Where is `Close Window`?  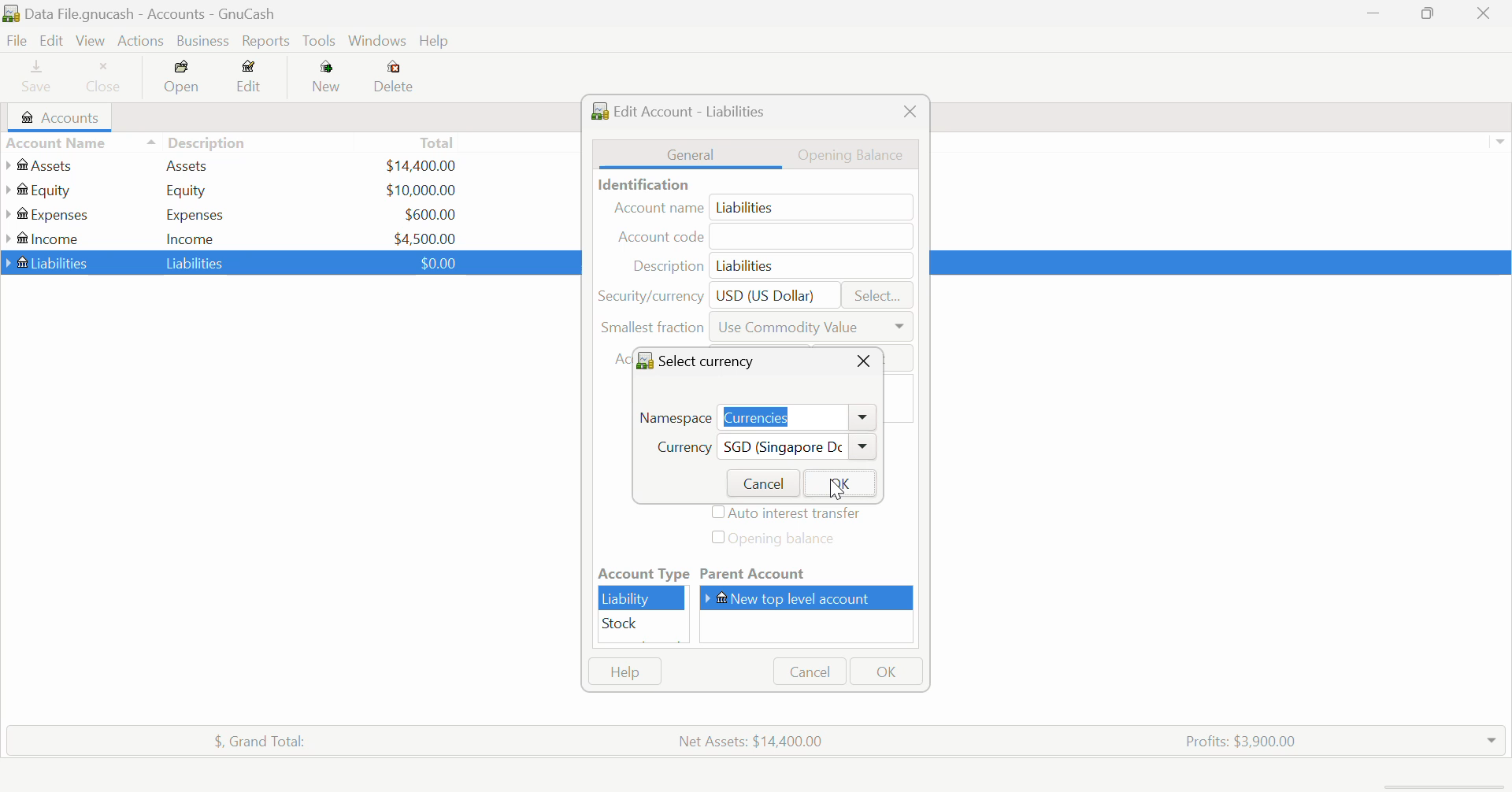
Close Window is located at coordinates (1488, 13).